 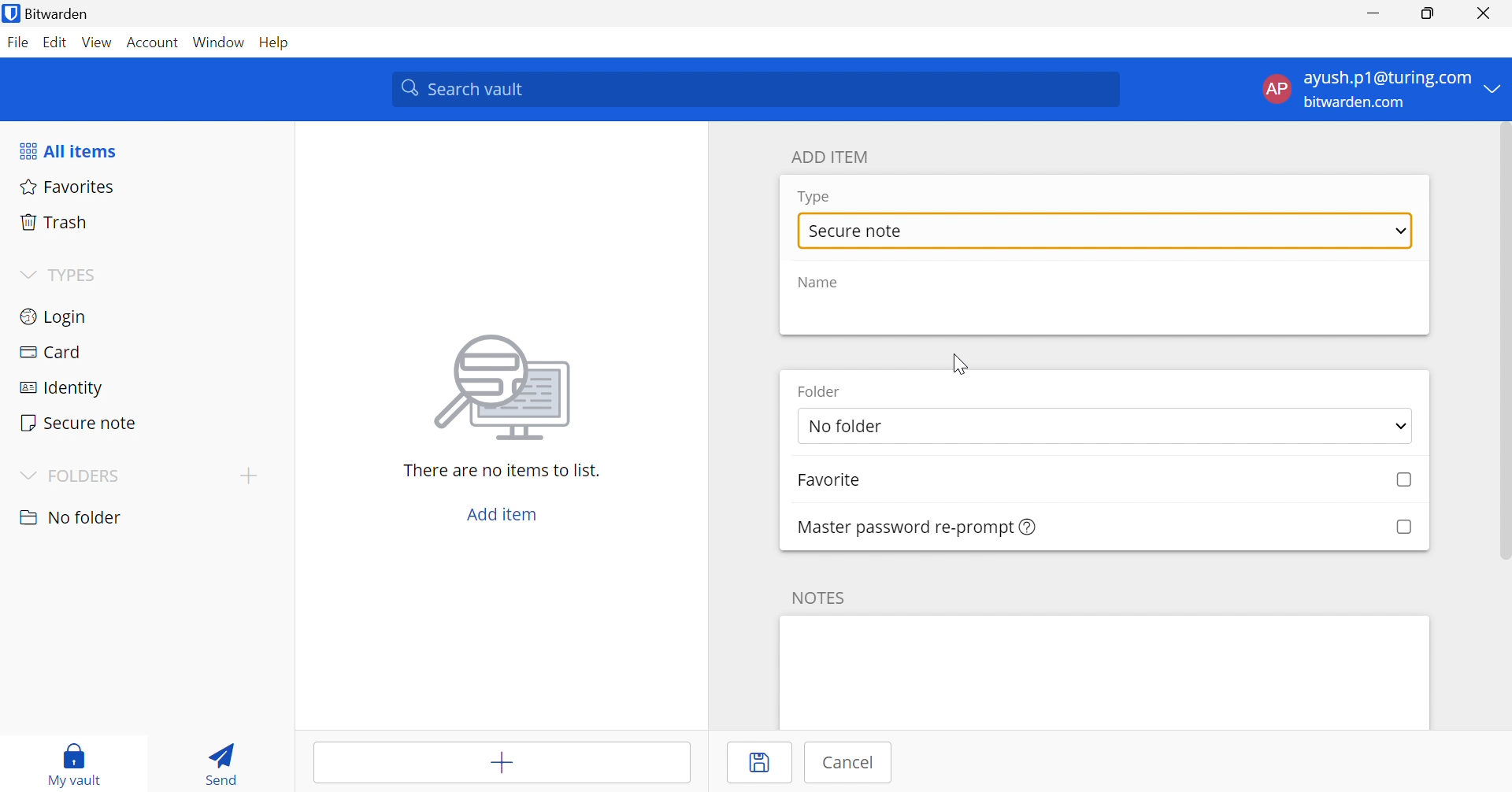 I want to click on Search vault, so click(x=754, y=89).